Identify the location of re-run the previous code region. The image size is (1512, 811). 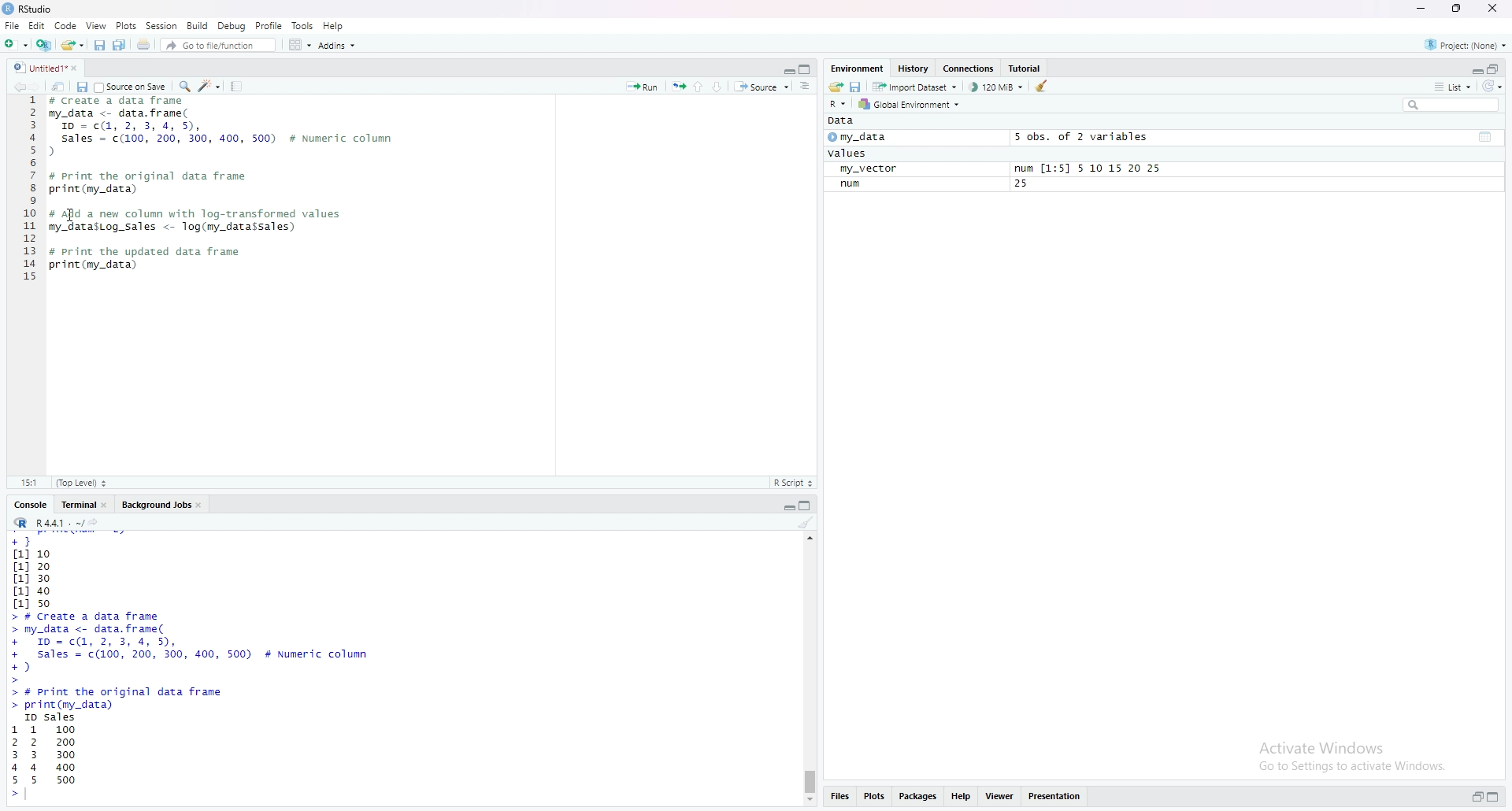
(677, 87).